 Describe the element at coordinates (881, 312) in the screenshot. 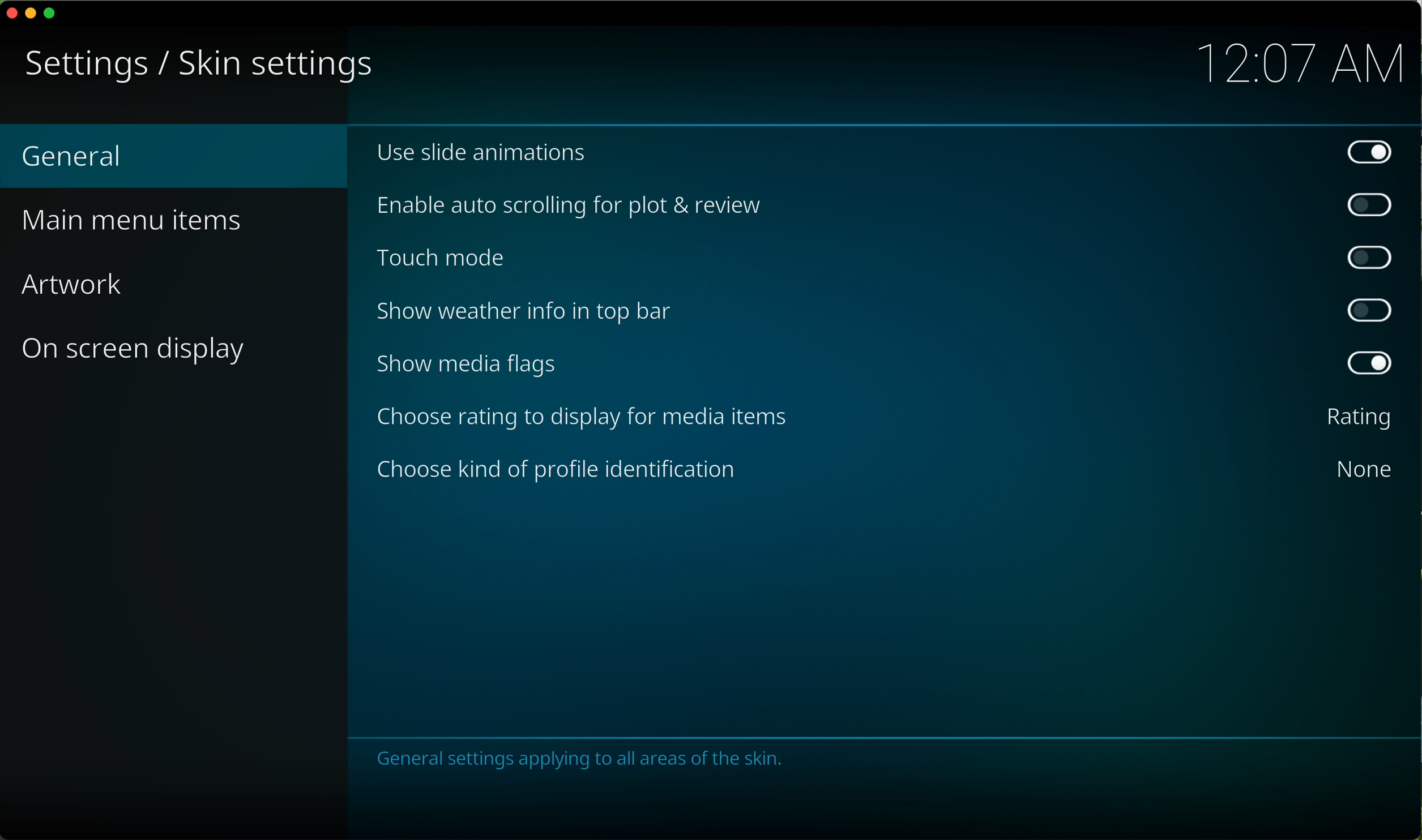

I see `show weather info in top bar` at that location.